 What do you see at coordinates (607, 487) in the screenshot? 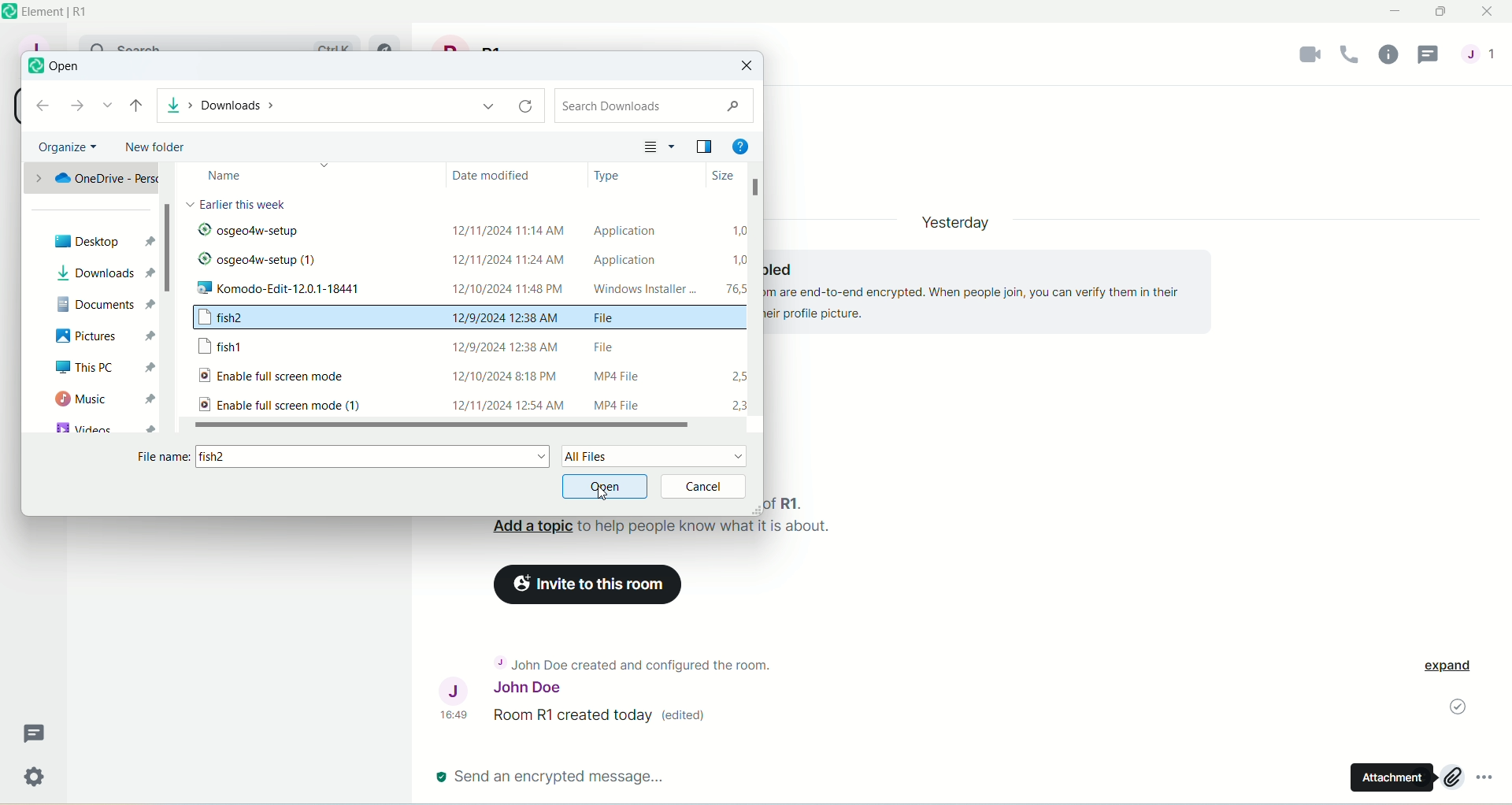
I see `open` at bounding box center [607, 487].